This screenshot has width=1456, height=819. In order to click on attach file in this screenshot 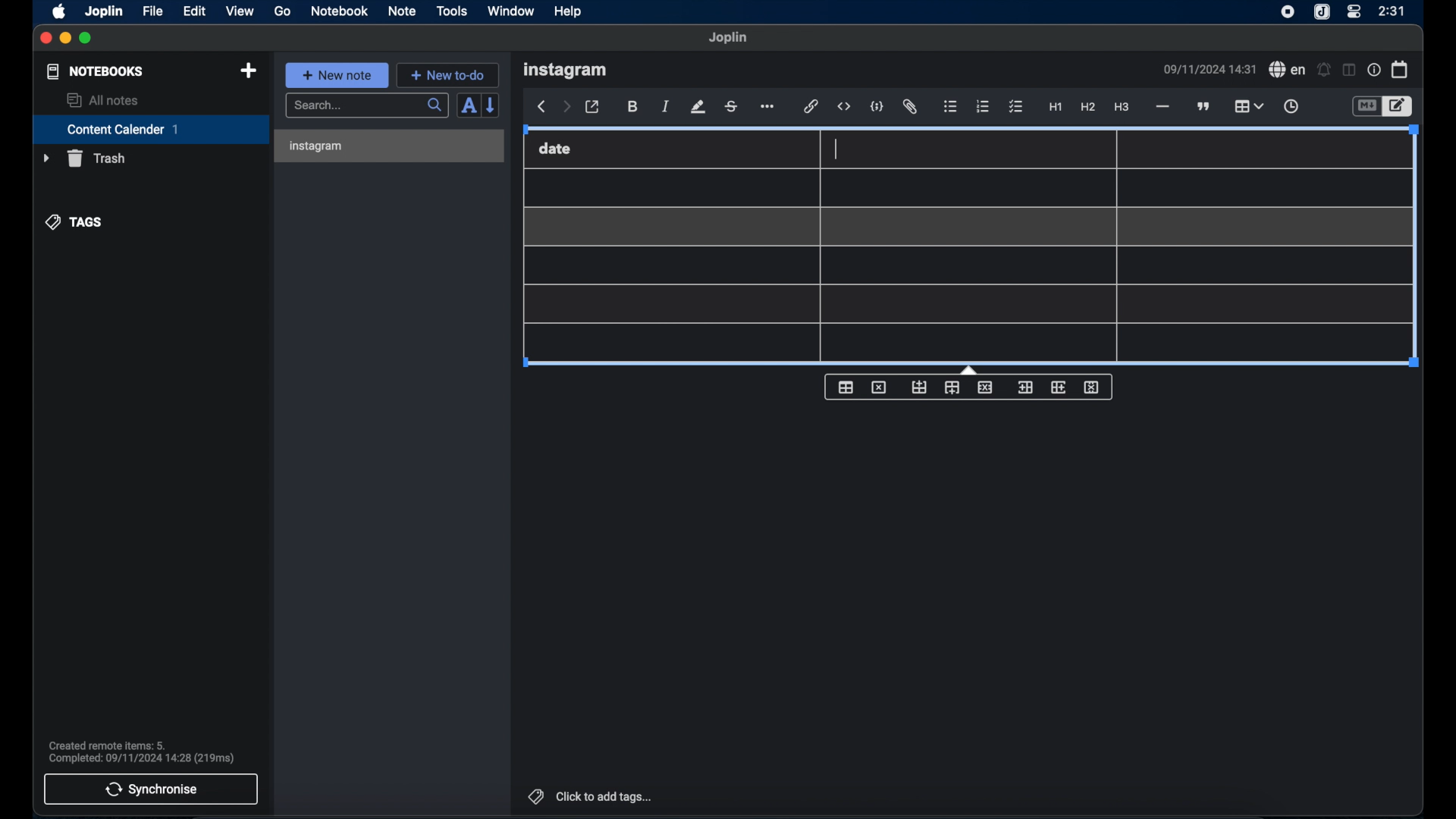, I will do `click(912, 107)`.